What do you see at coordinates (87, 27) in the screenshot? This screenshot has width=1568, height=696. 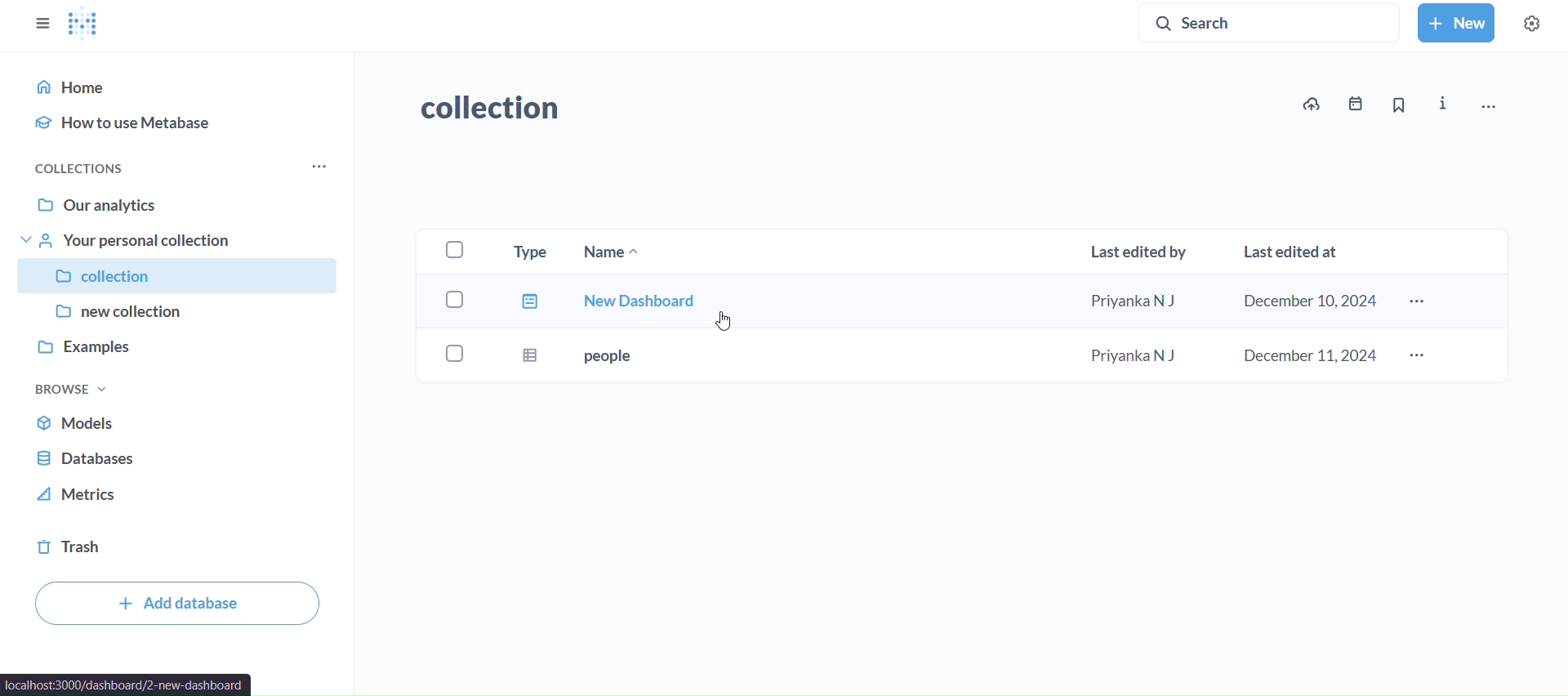 I see `logo` at bounding box center [87, 27].